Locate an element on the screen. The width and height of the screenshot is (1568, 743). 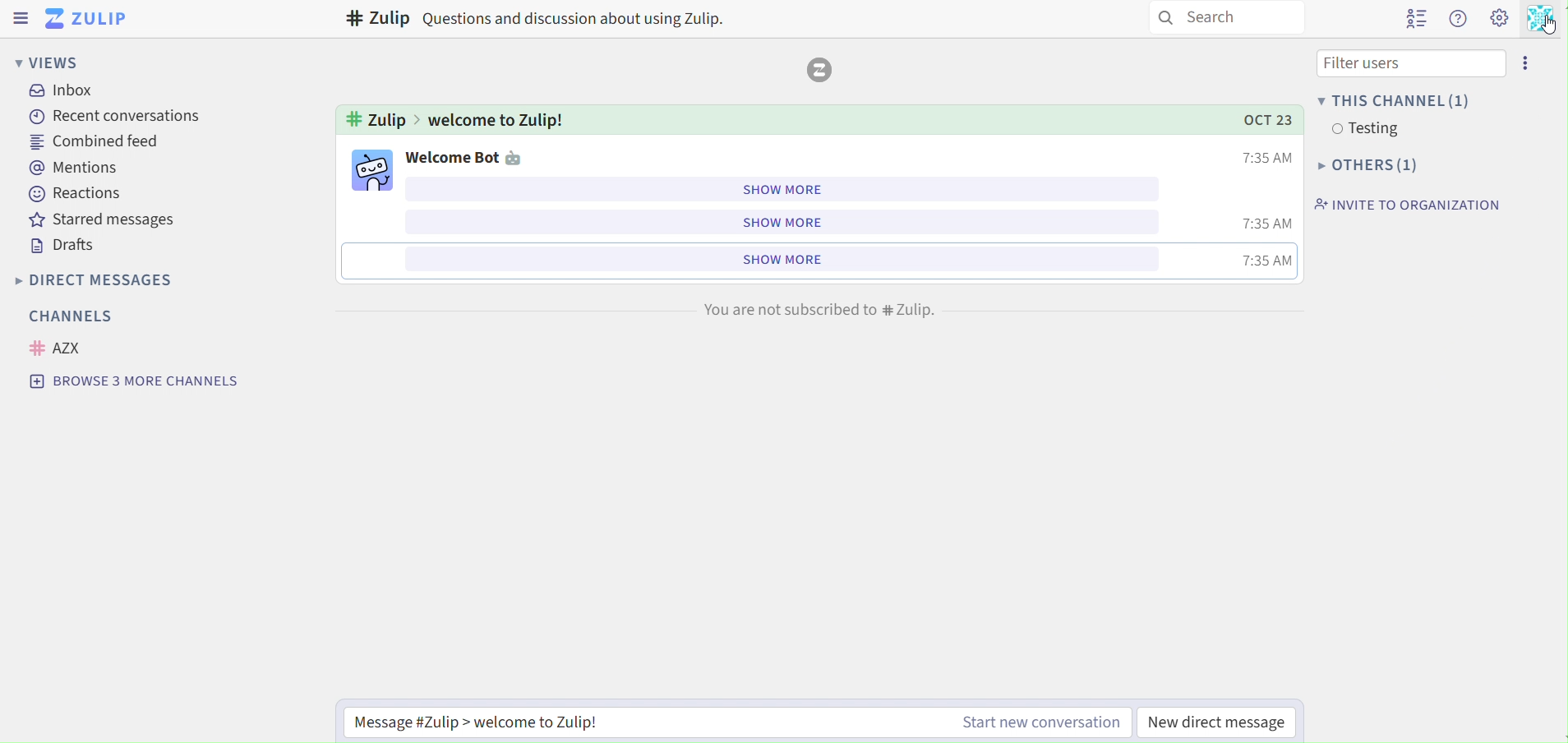
sidebar is located at coordinates (21, 18).